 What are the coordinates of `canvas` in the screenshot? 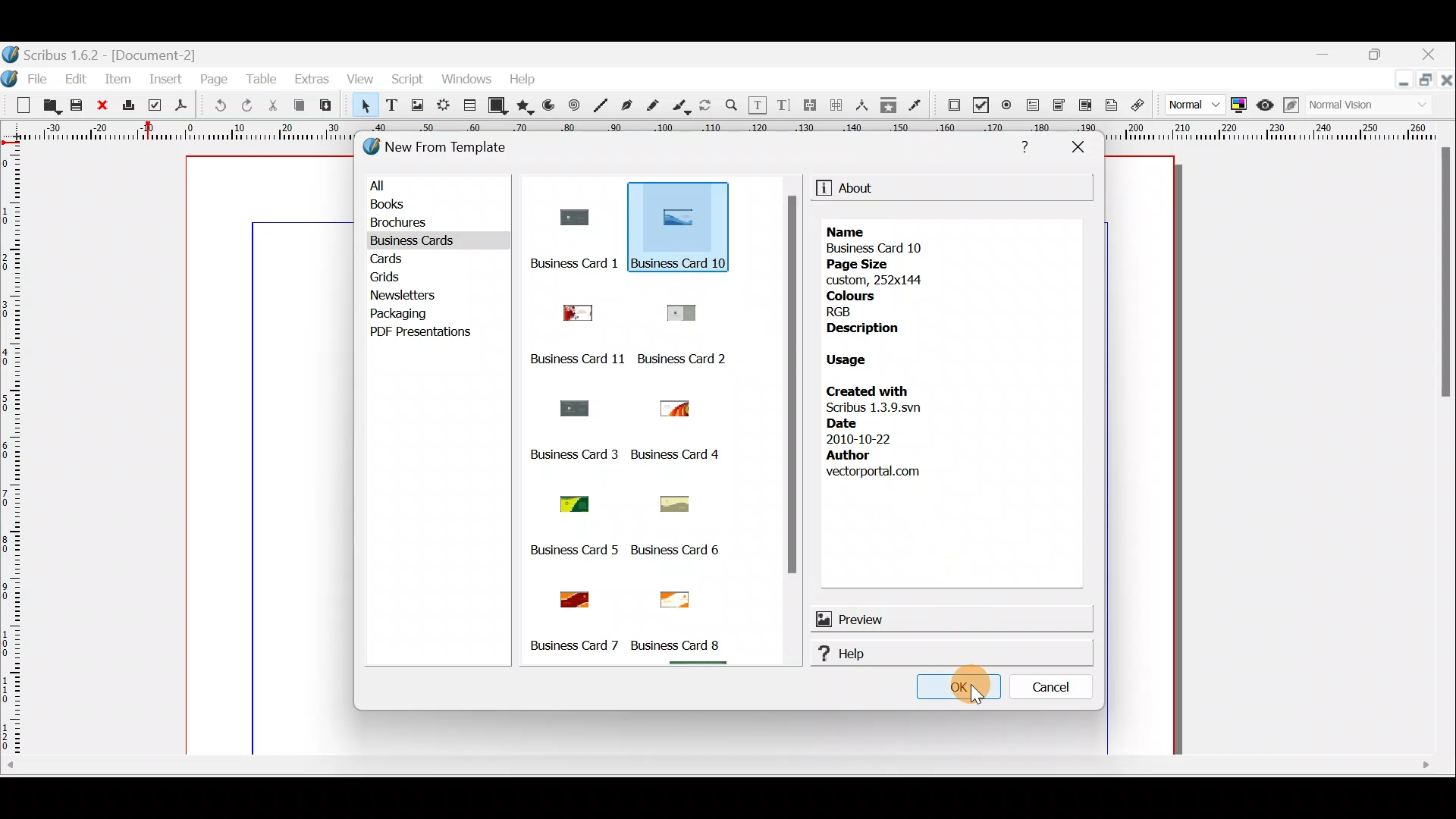 It's located at (1143, 456).